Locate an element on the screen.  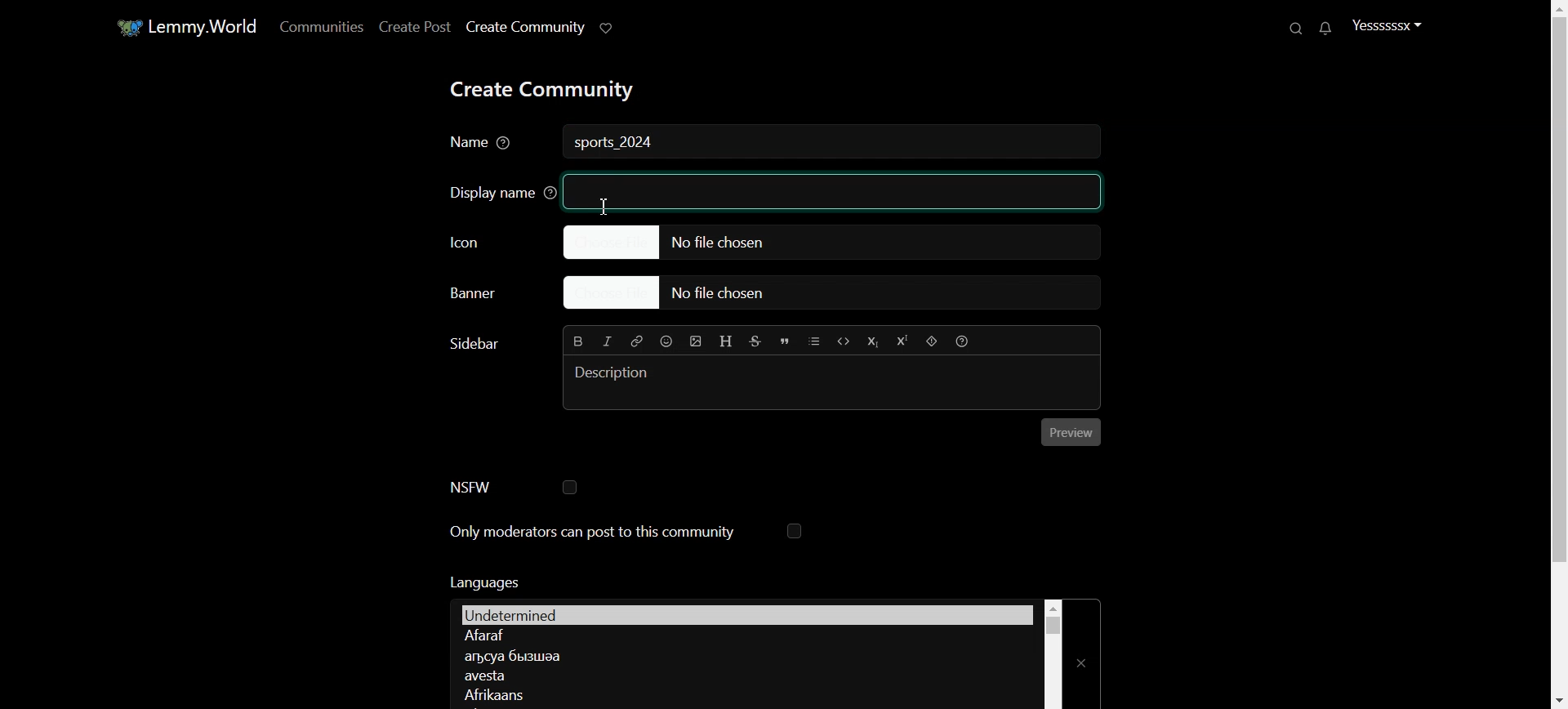
Language is located at coordinates (744, 636).